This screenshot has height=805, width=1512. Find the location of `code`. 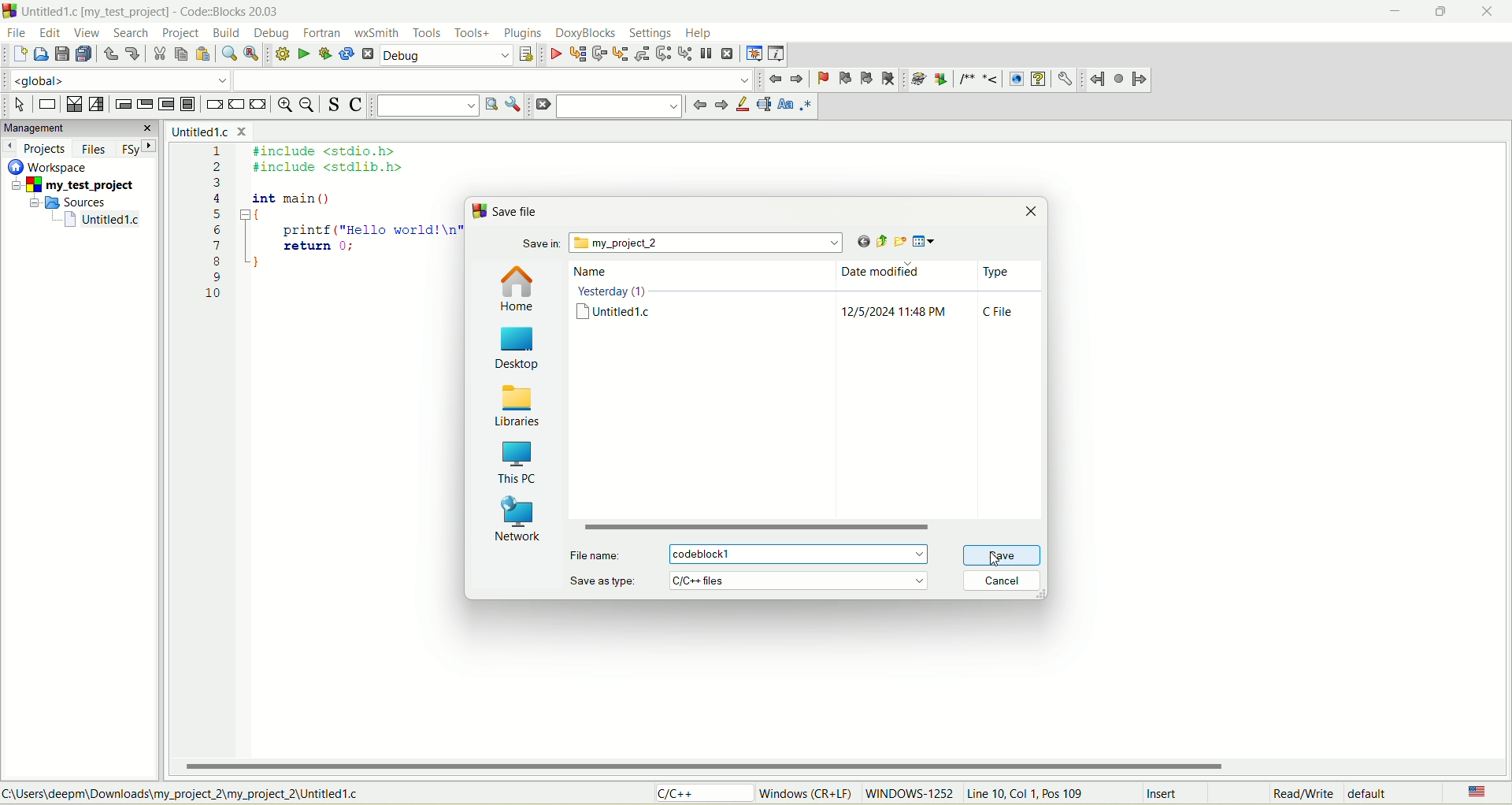

code is located at coordinates (325, 236).